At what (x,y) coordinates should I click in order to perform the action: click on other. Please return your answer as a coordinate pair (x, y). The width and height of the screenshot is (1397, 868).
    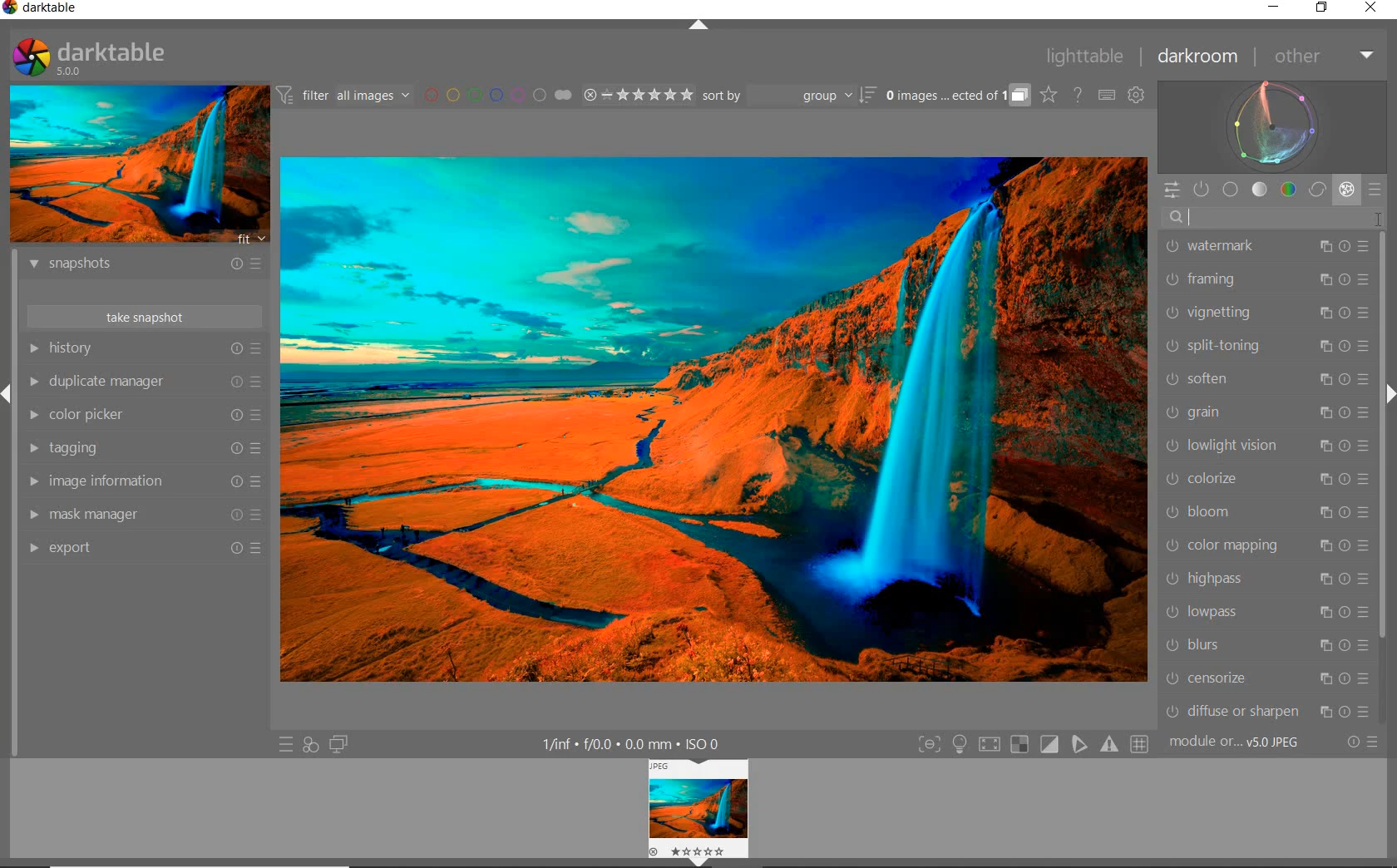
    Looking at the image, I should click on (1320, 56).